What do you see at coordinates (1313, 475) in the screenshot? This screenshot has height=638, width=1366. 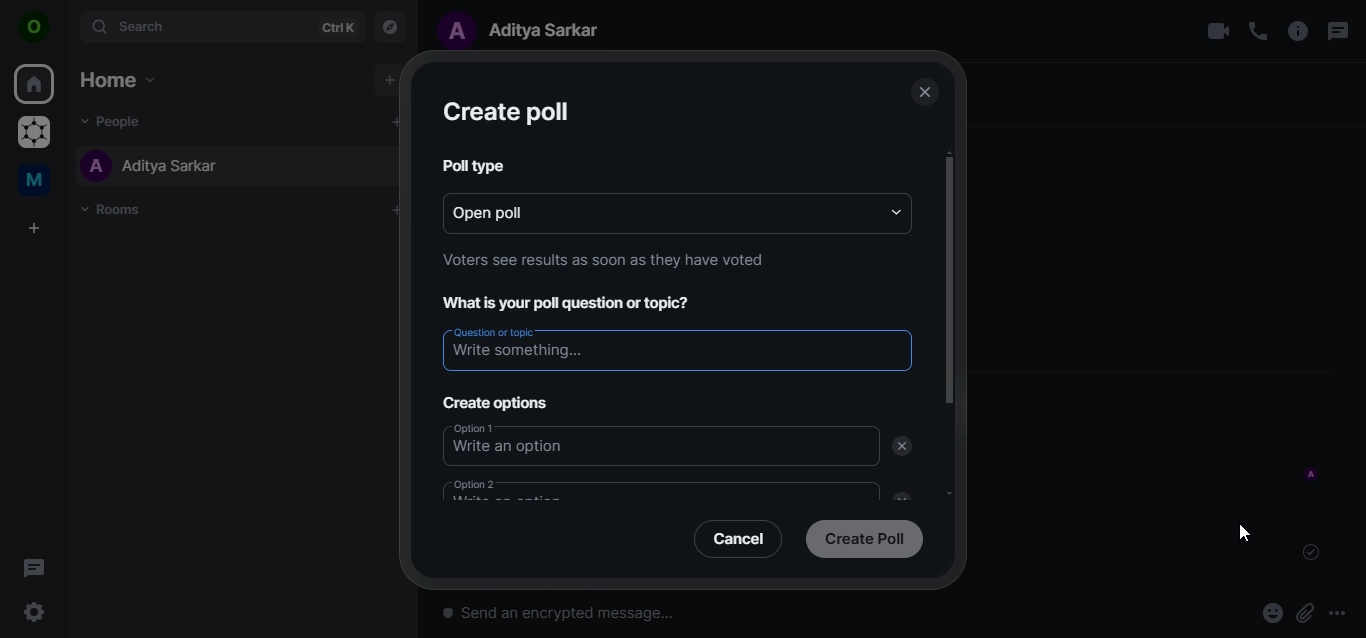 I see `message sent by ` at bounding box center [1313, 475].